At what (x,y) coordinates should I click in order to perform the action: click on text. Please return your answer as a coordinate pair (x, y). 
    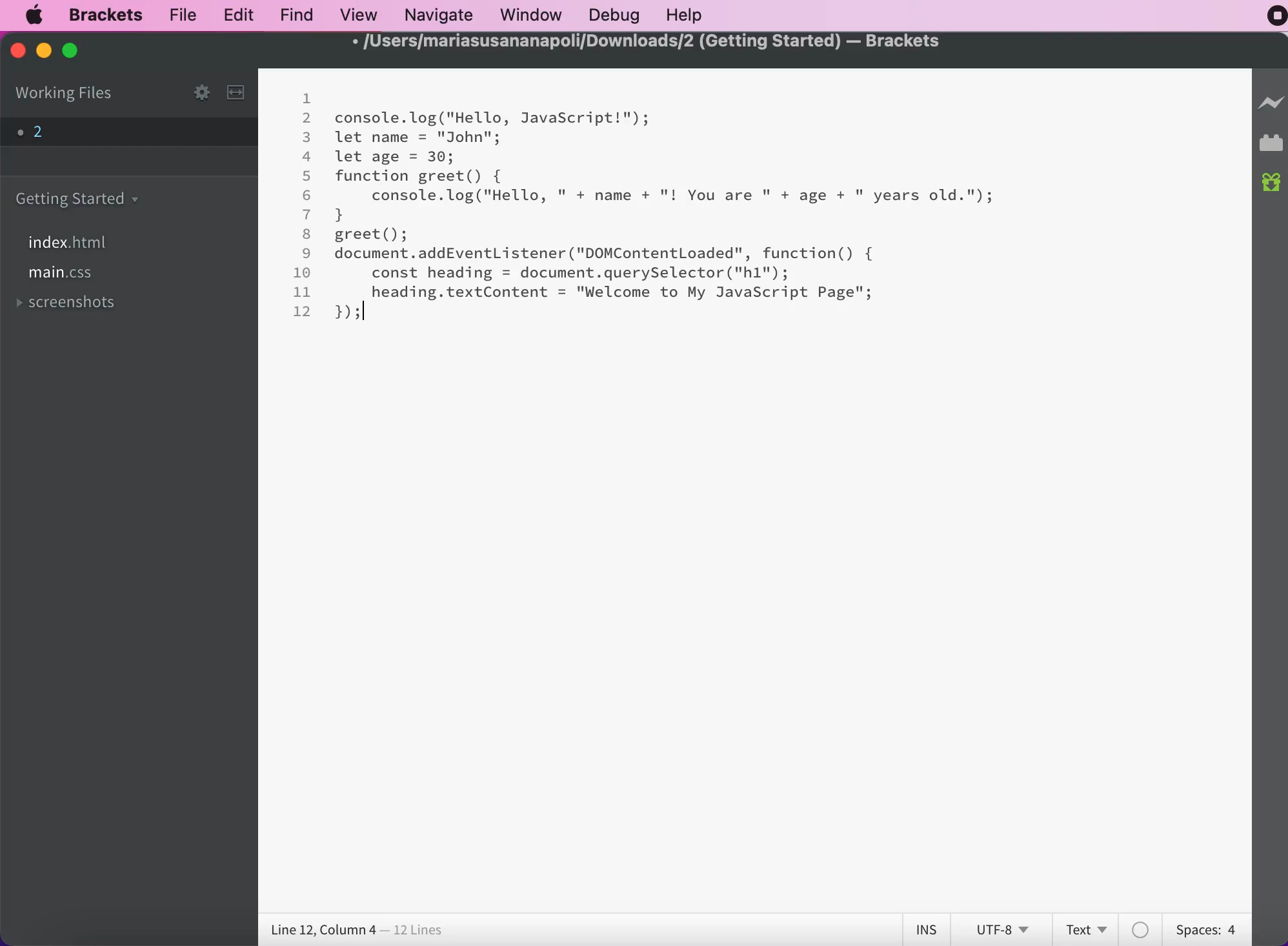
    Looking at the image, I should click on (1086, 928).